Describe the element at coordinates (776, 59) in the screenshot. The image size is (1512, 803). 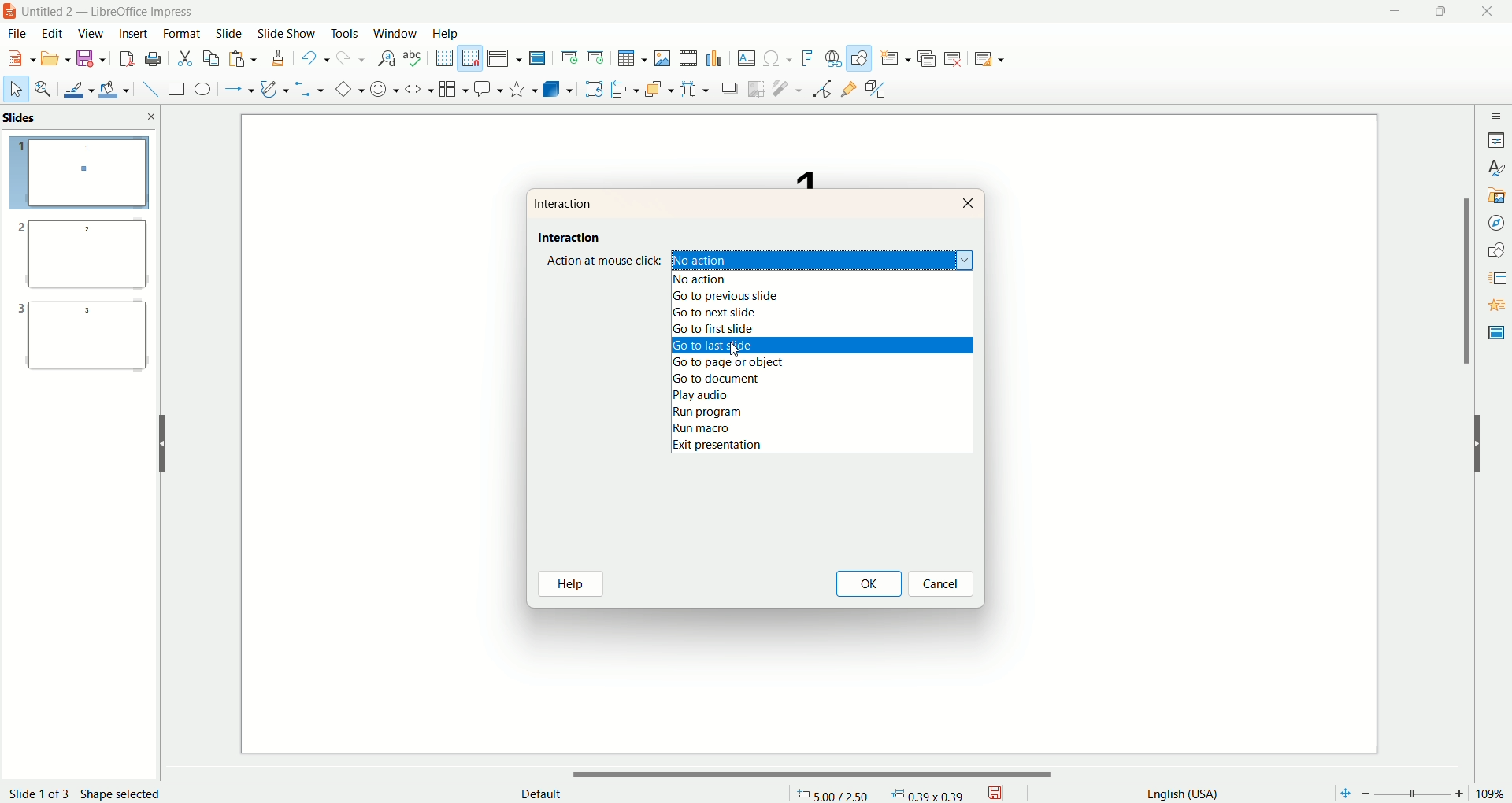
I see `special character` at that location.